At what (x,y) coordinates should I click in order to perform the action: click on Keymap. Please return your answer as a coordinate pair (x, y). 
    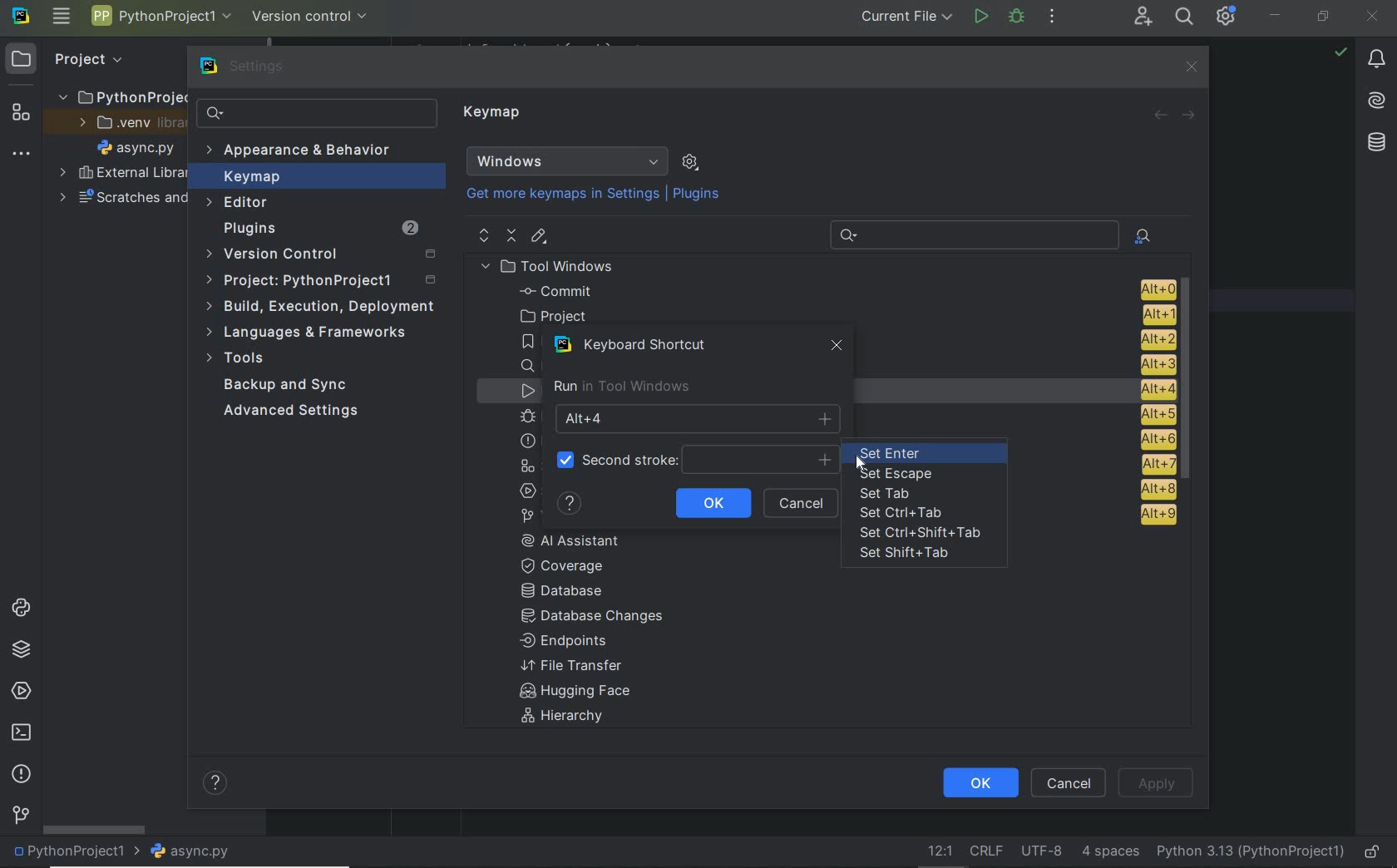
    Looking at the image, I should click on (317, 176).